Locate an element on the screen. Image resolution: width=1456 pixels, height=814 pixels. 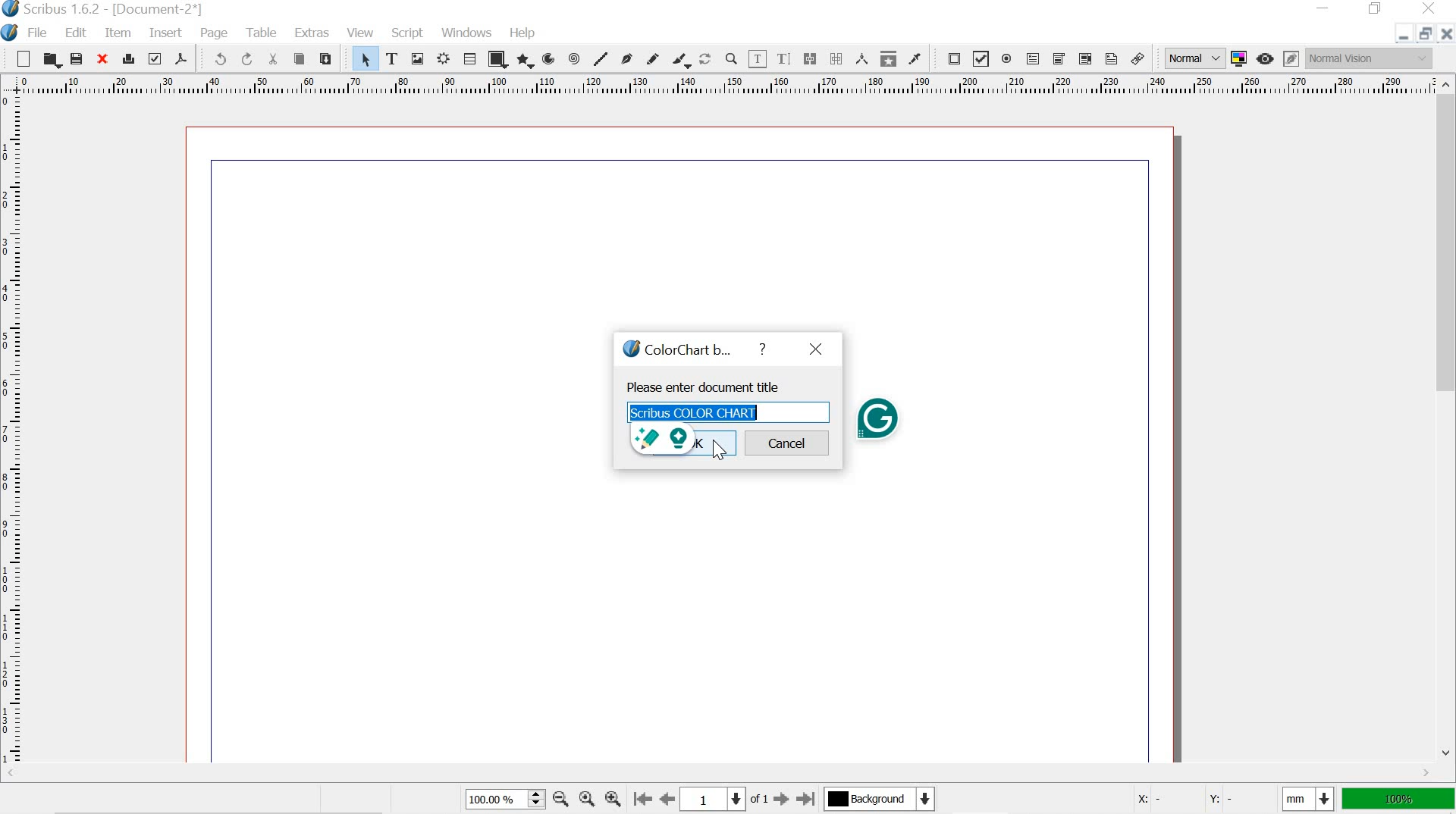
OK is located at coordinates (715, 443).